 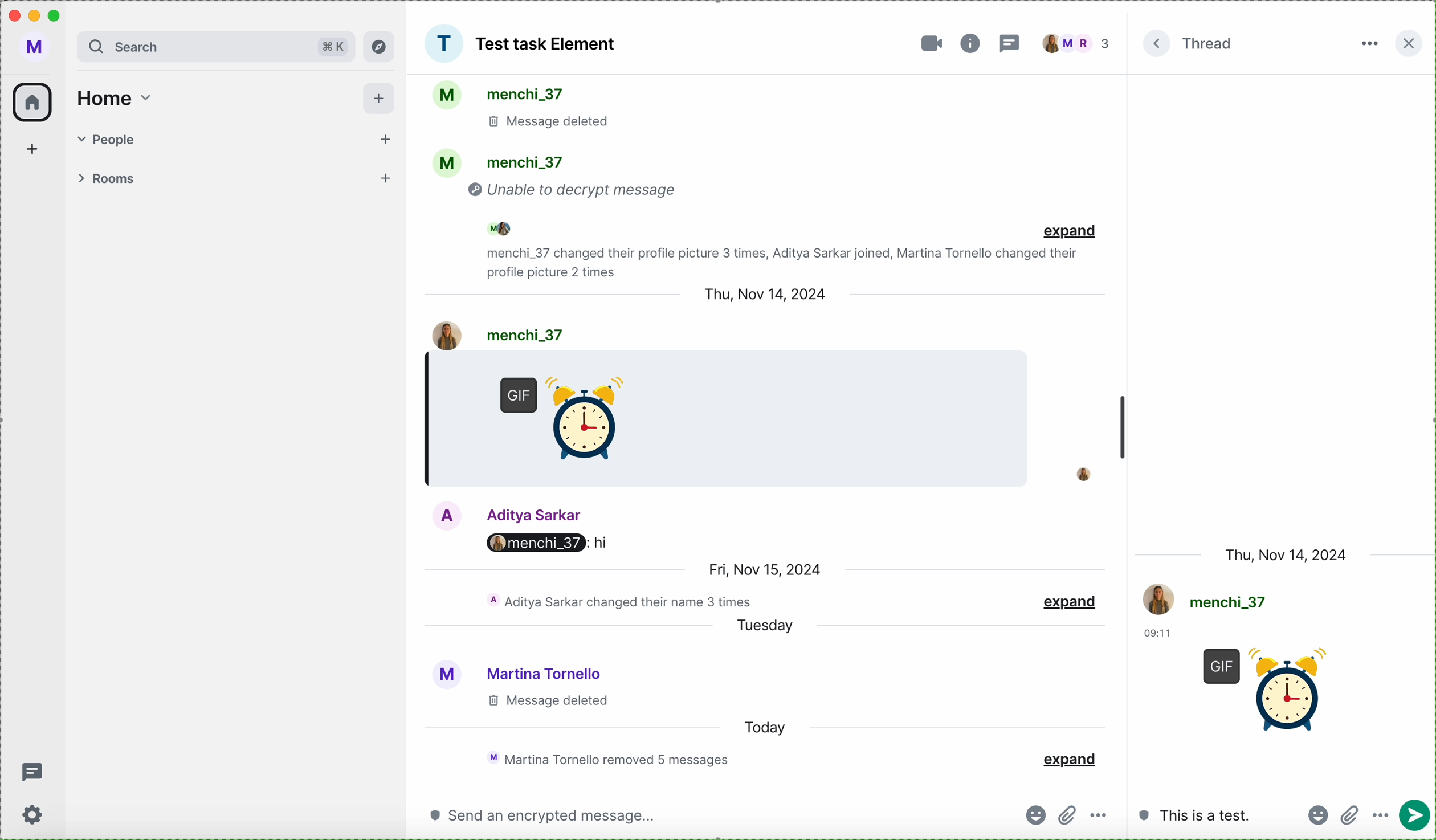 What do you see at coordinates (1158, 634) in the screenshot?
I see `hour` at bounding box center [1158, 634].